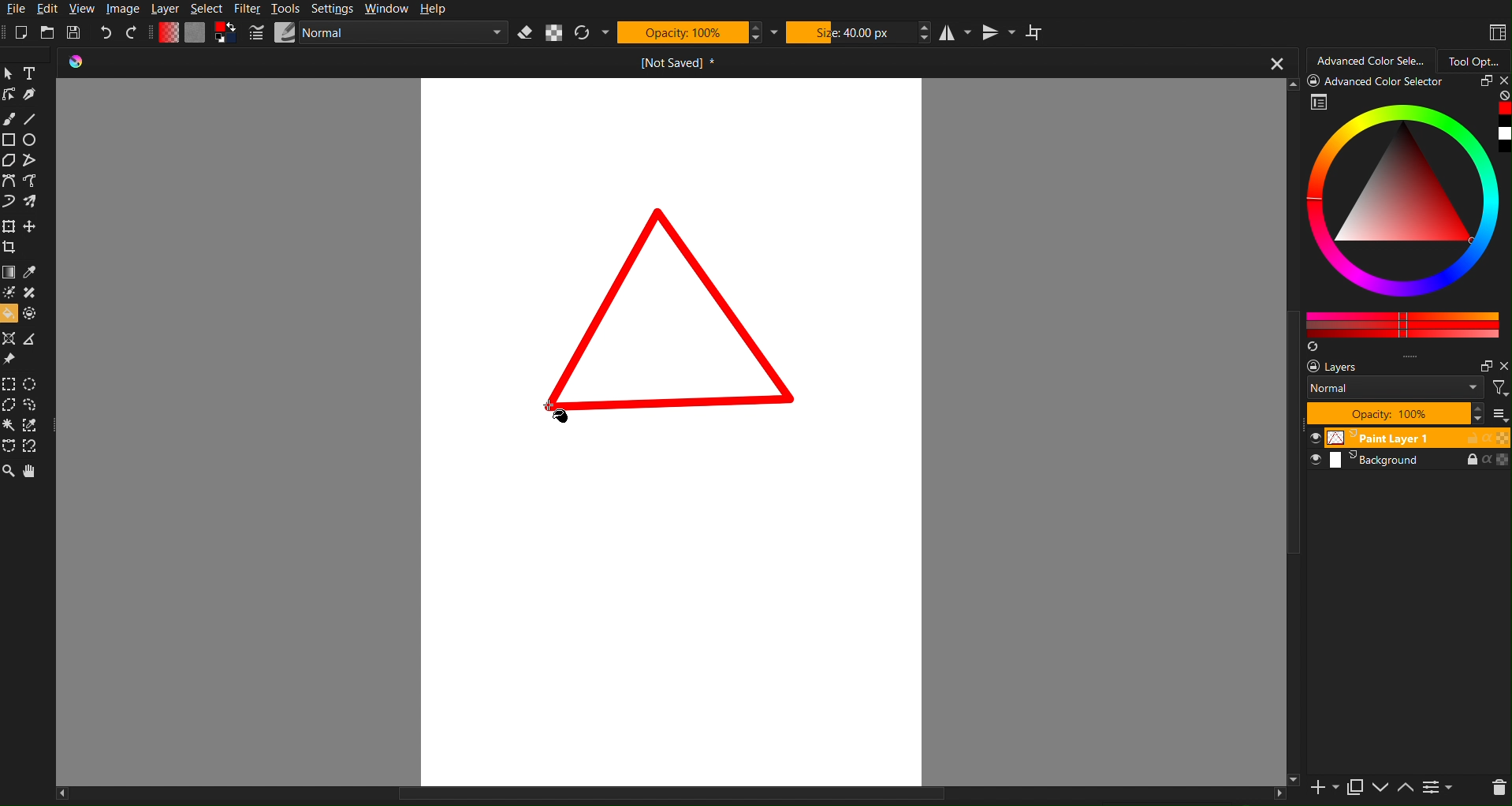 The height and width of the screenshot is (806, 1512). Describe the element at coordinates (32, 140) in the screenshot. I see `ellipse tool` at that location.